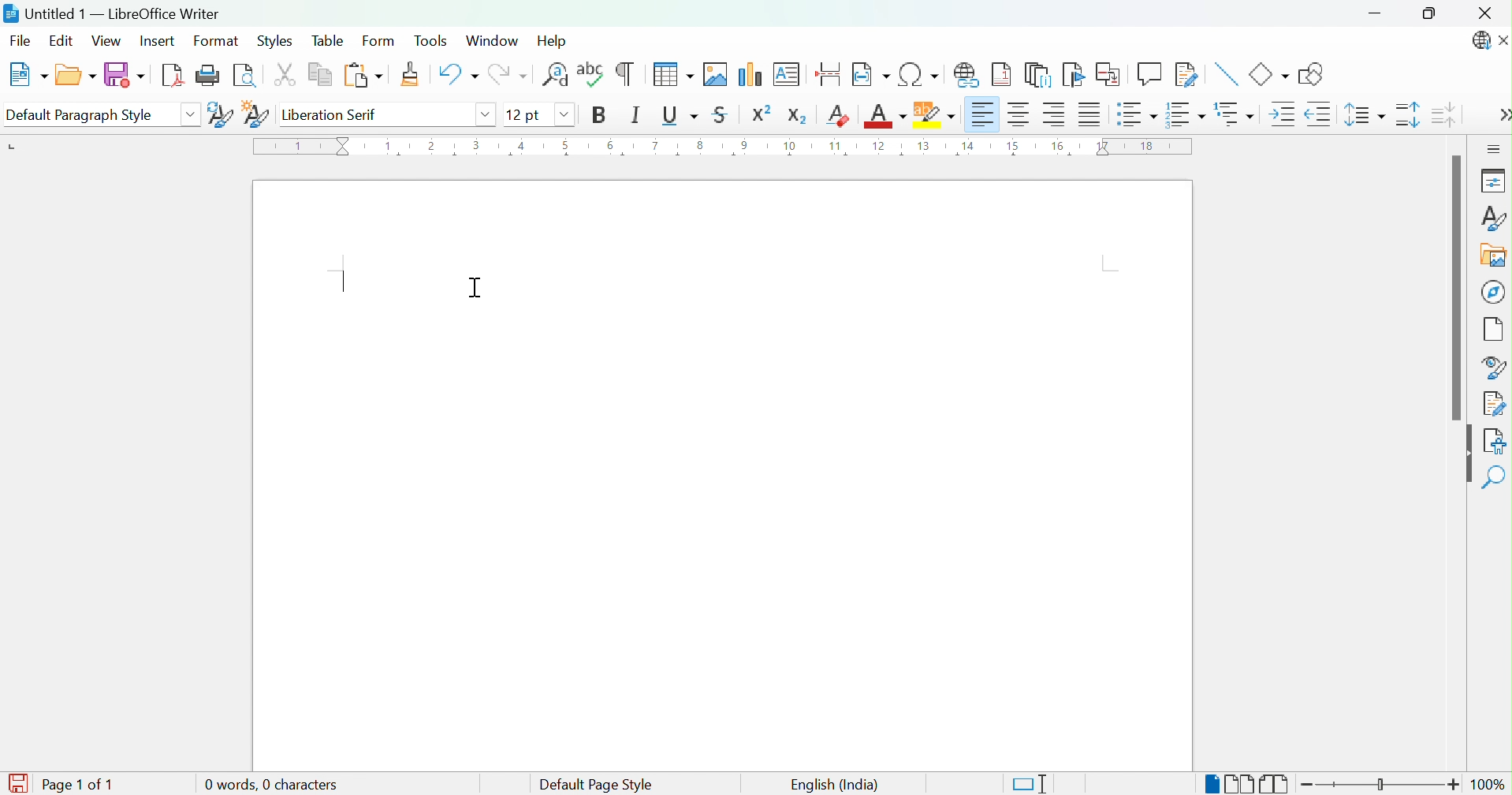 Image resolution: width=1512 pixels, height=795 pixels. Describe the element at coordinates (333, 116) in the screenshot. I see `Liberation serif` at that location.